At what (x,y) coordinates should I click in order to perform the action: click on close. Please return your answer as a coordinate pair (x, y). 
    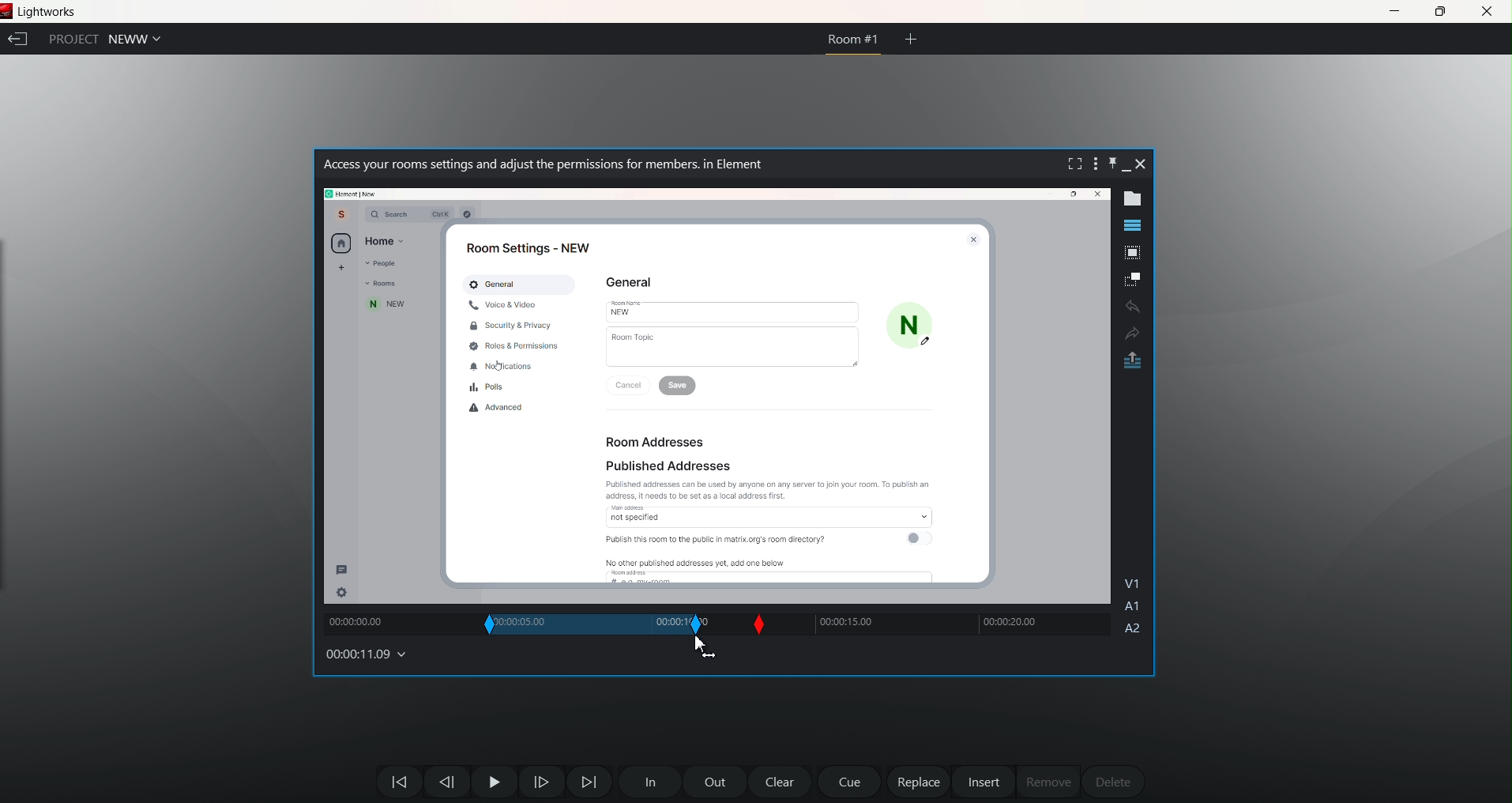
    Looking at the image, I should click on (1095, 195).